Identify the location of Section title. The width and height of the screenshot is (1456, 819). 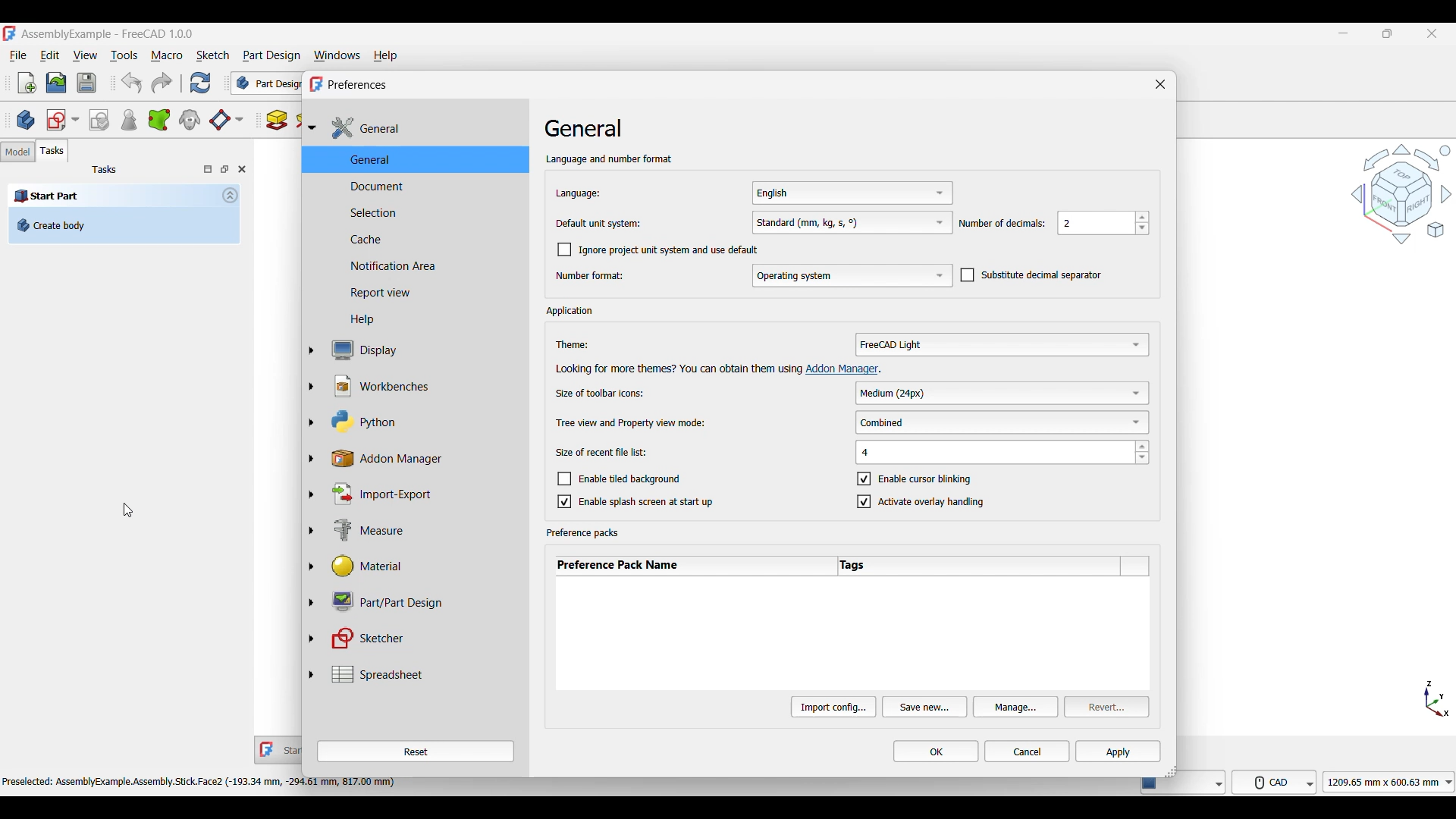
(584, 532).